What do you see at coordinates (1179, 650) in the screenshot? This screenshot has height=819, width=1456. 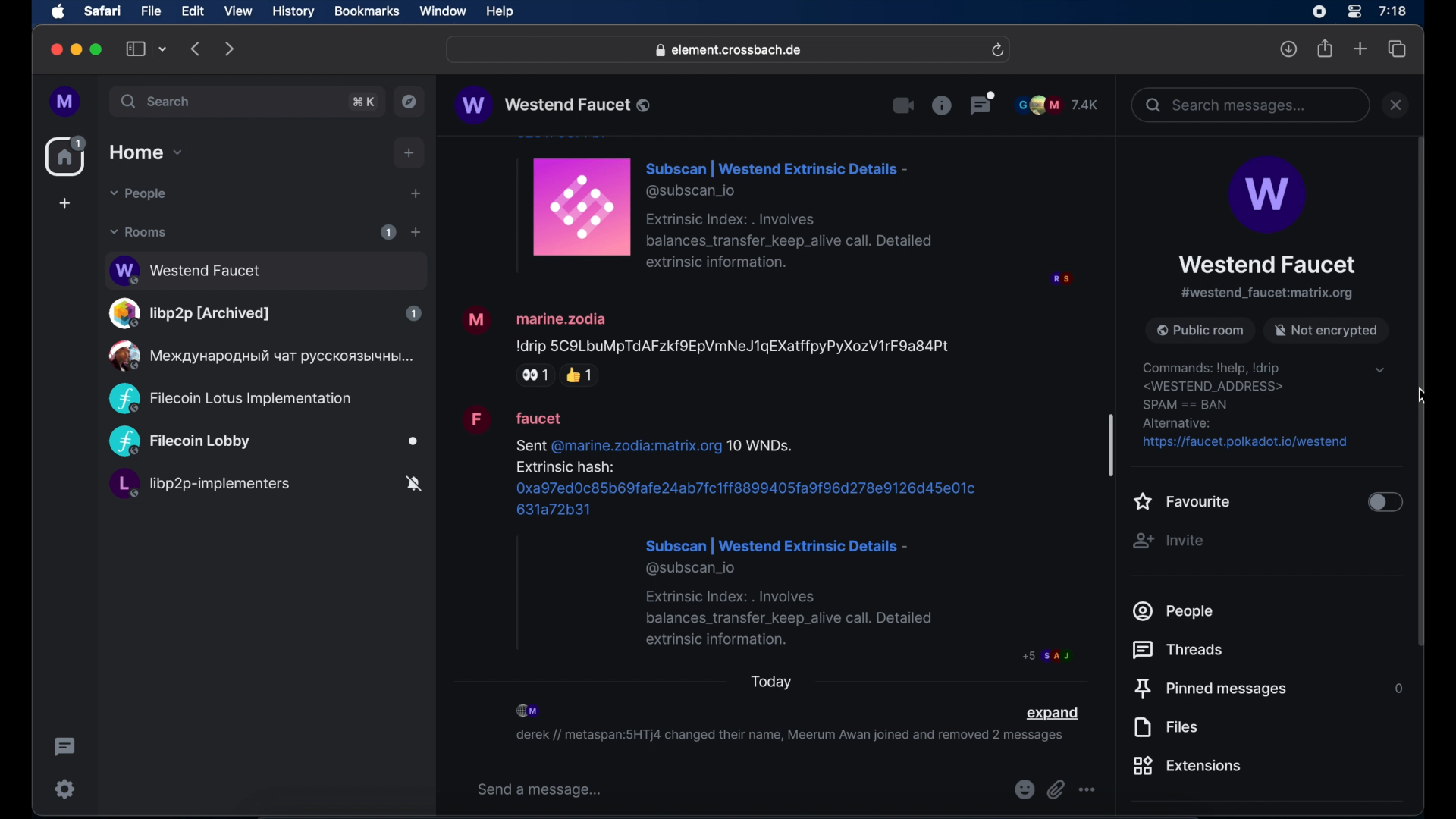 I see `threads` at bounding box center [1179, 650].